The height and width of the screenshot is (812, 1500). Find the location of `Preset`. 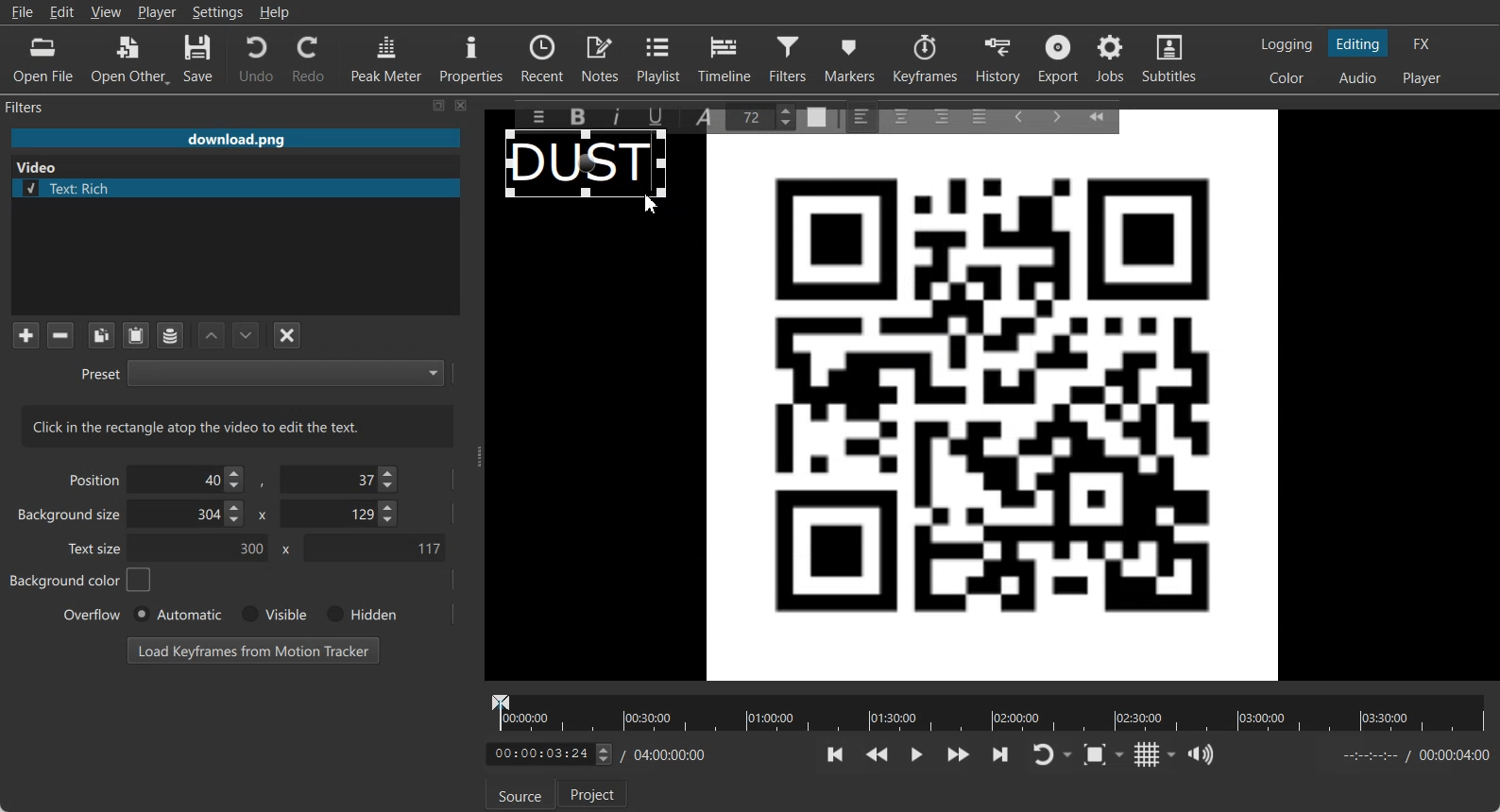

Preset is located at coordinates (262, 372).